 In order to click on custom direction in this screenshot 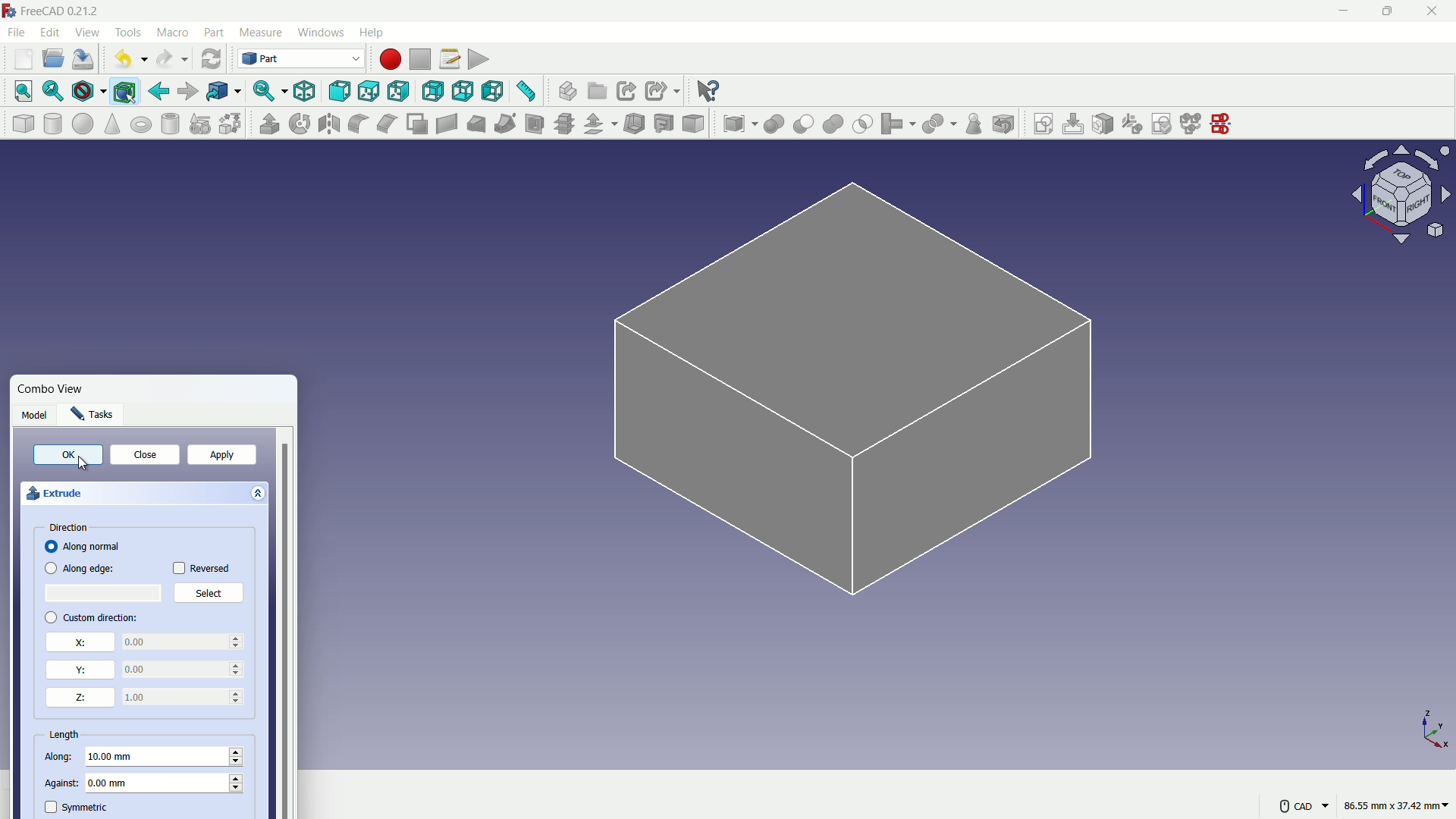, I will do `click(101, 619)`.